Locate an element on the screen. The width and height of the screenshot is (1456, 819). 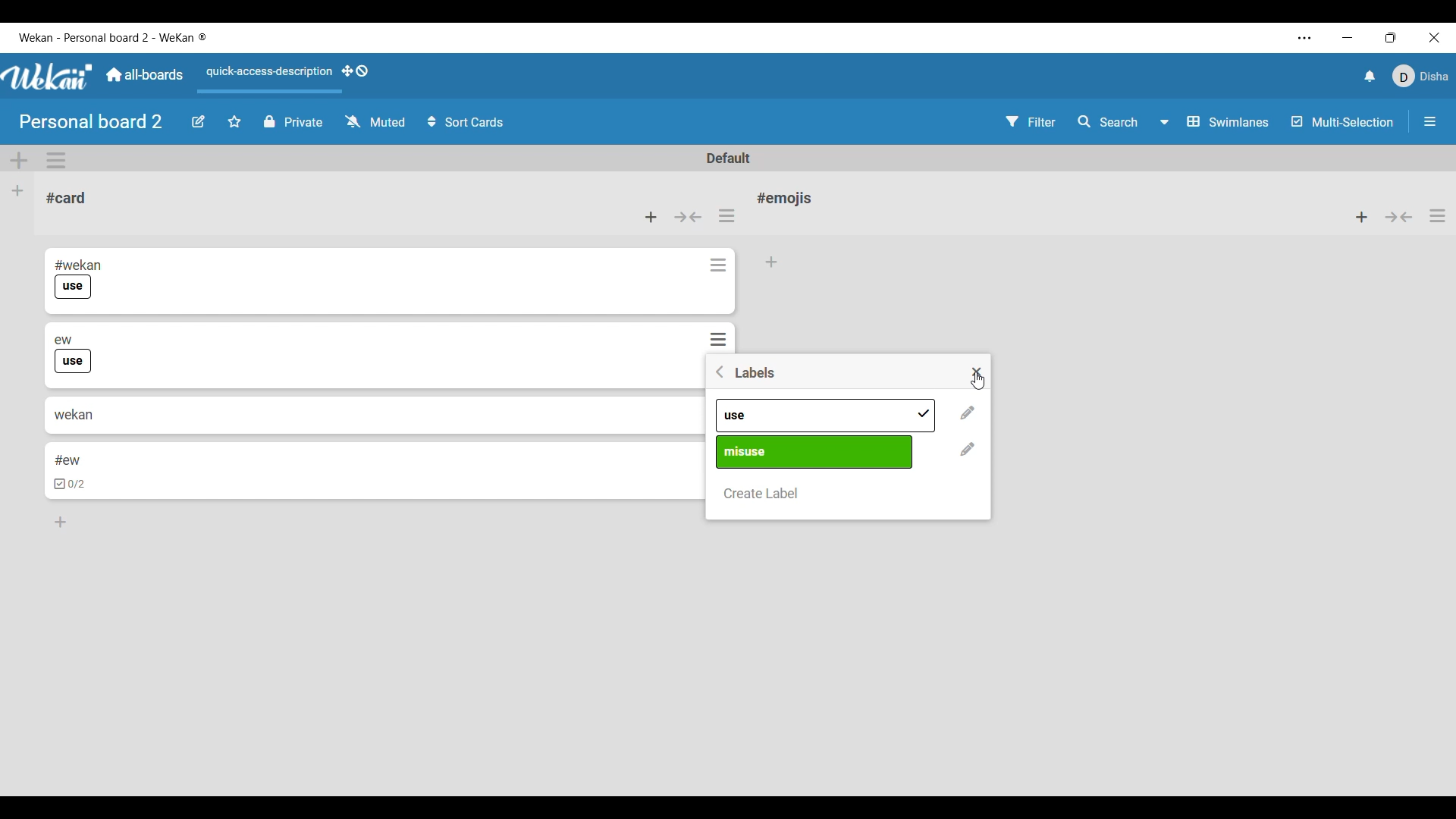
Add swimlane is located at coordinates (19, 161).